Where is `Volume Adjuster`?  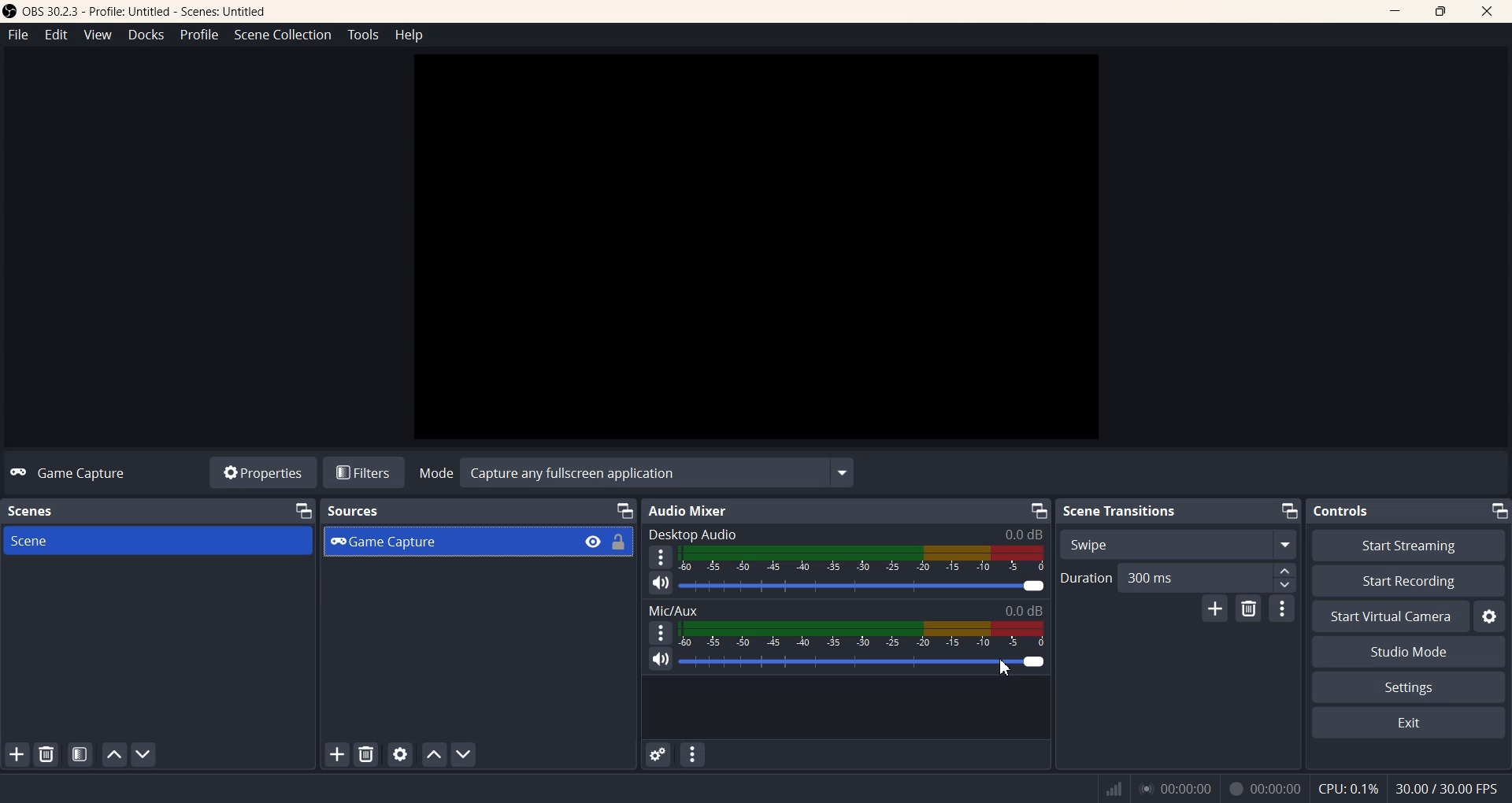 Volume Adjuster is located at coordinates (865, 587).